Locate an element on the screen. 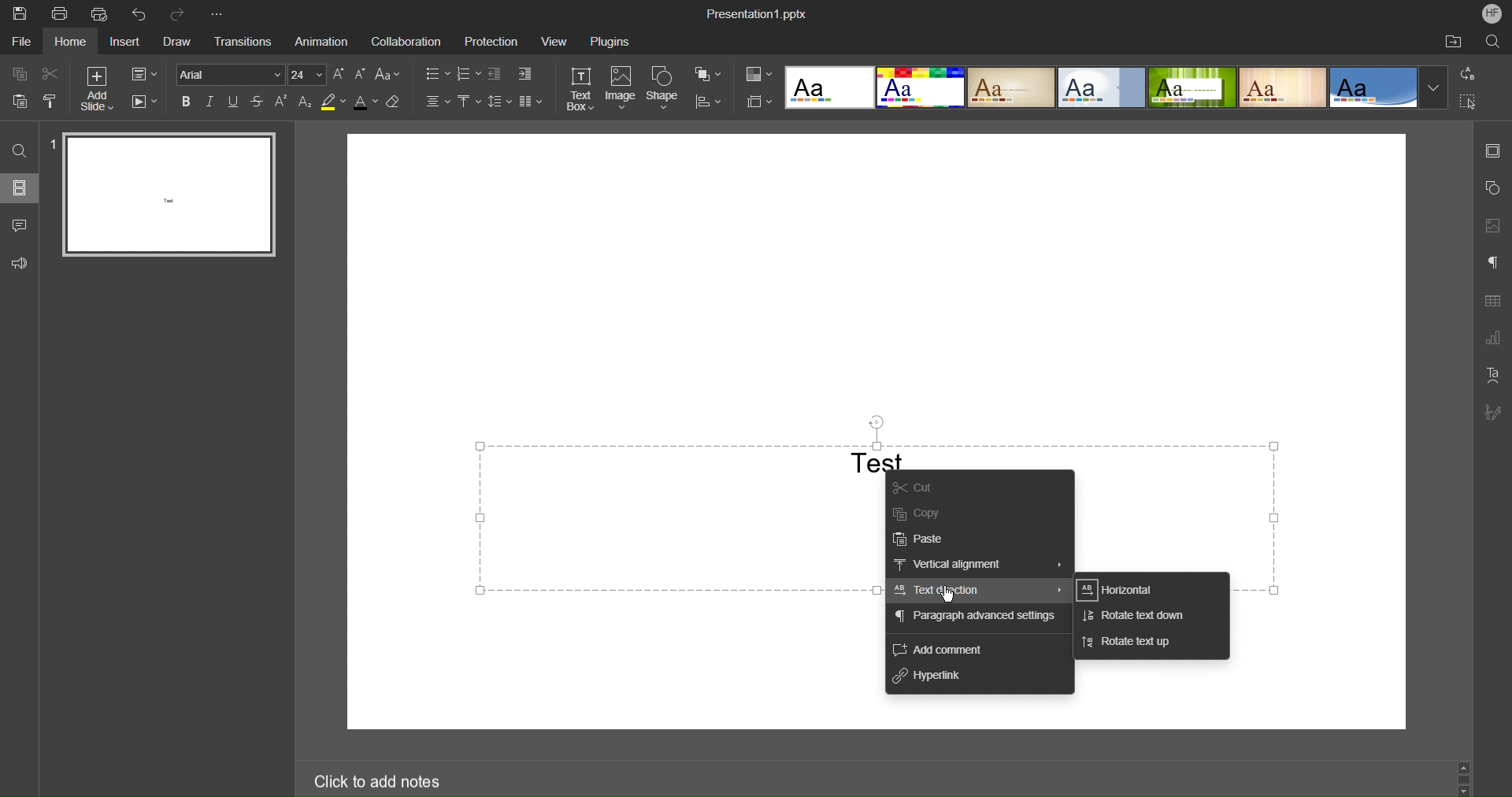 The width and height of the screenshot is (1512, 797). Search is located at coordinates (18, 146).